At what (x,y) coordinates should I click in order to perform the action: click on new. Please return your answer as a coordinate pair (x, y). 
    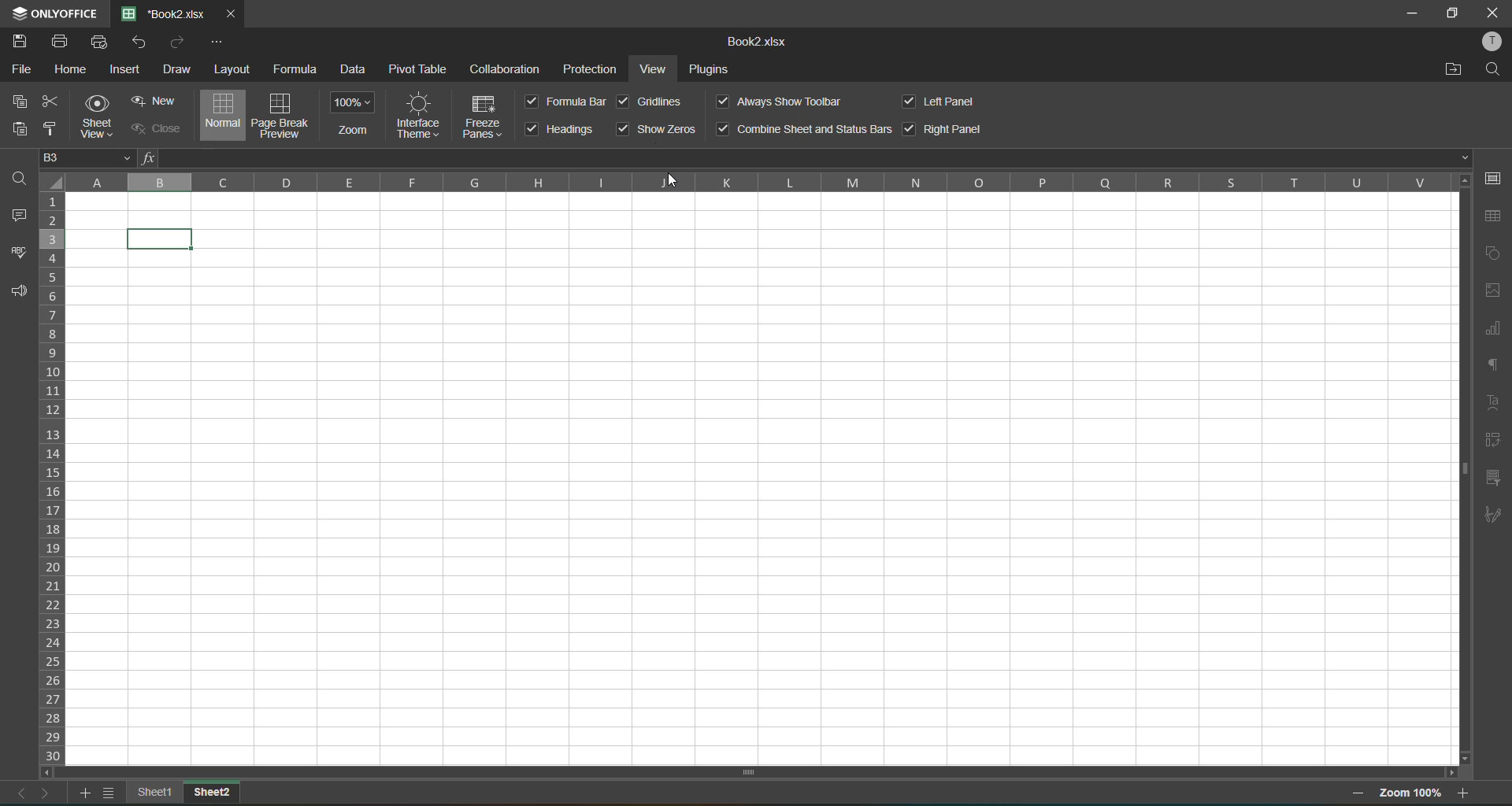
    Looking at the image, I should click on (153, 100).